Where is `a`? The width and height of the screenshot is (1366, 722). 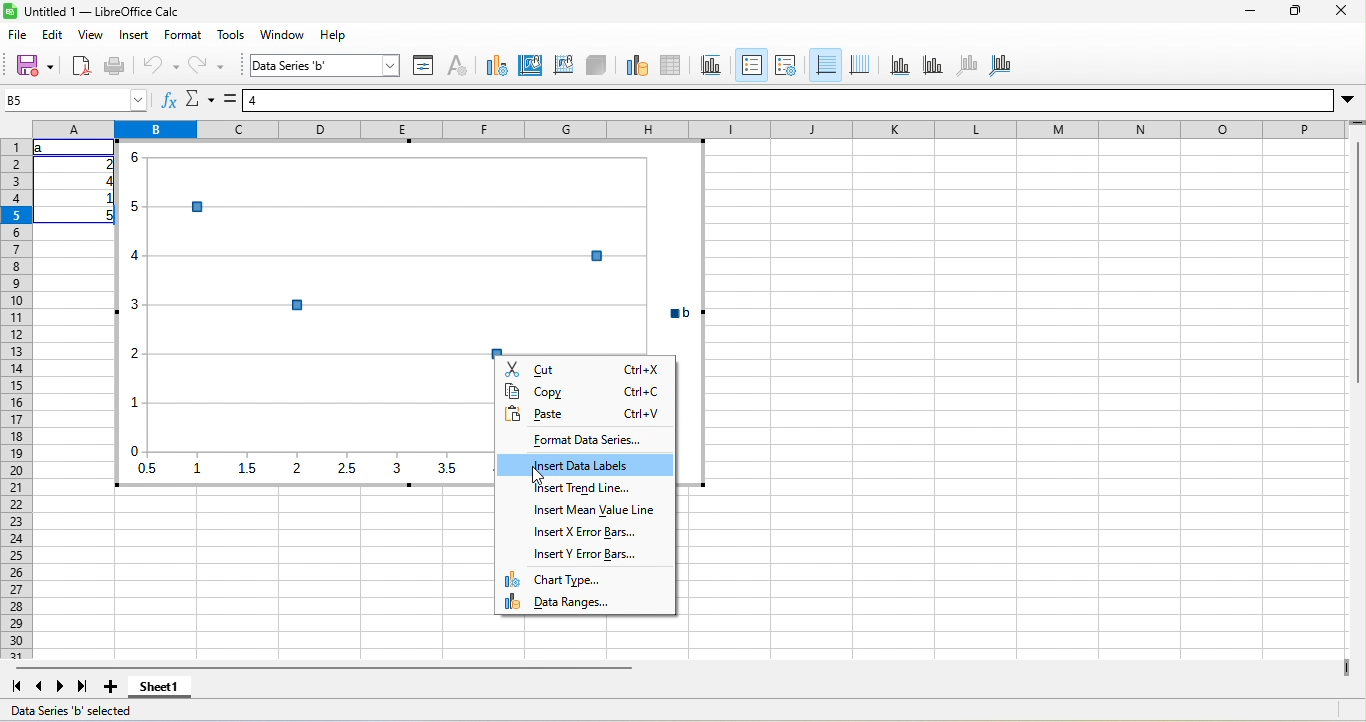 a is located at coordinates (42, 148).